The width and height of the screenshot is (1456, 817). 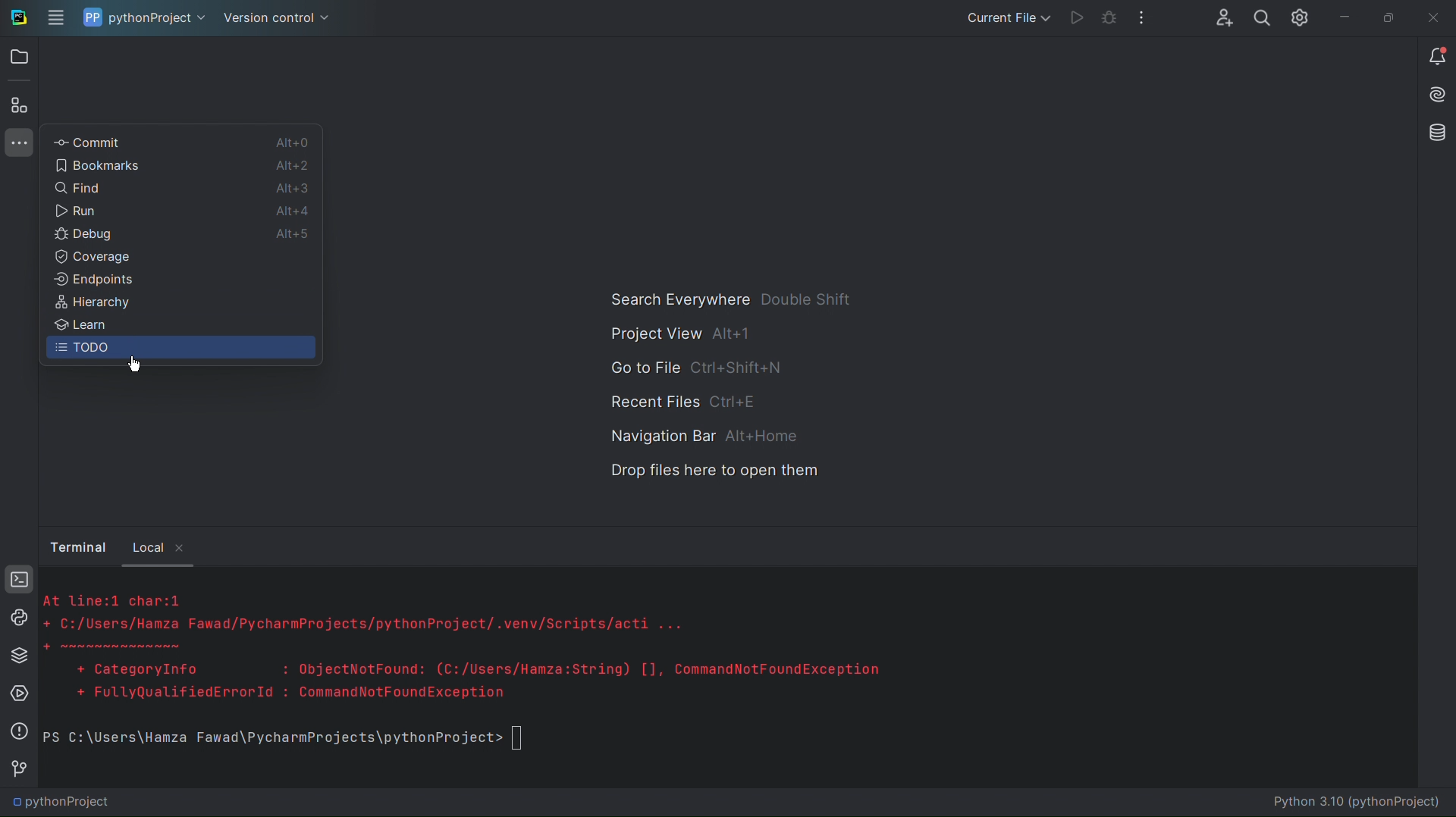 What do you see at coordinates (1258, 19) in the screenshot?
I see `Search` at bounding box center [1258, 19].